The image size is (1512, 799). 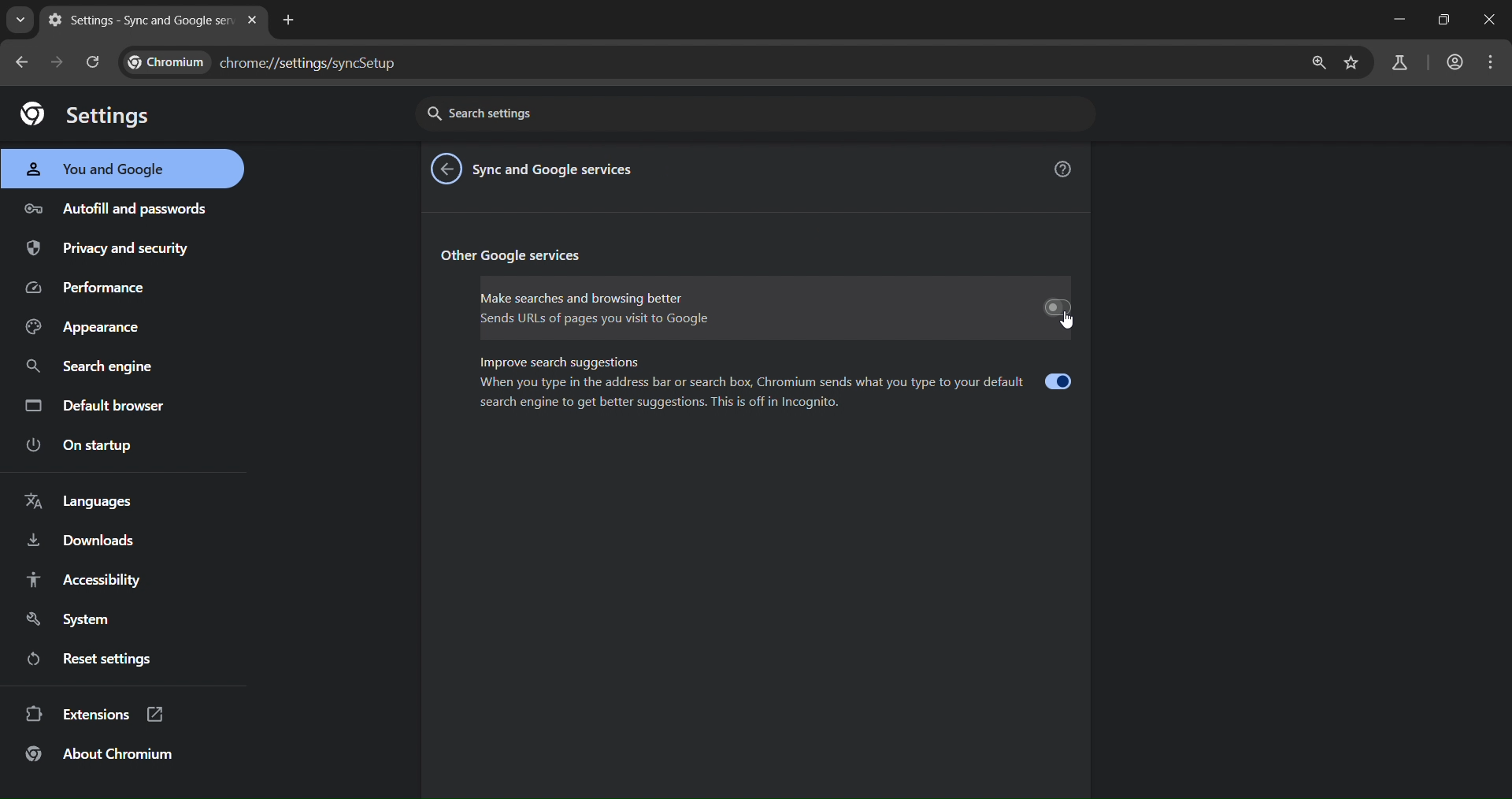 What do you see at coordinates (82, 115) in the screenshot?
I see `settings` at bounding box center [82, 115].